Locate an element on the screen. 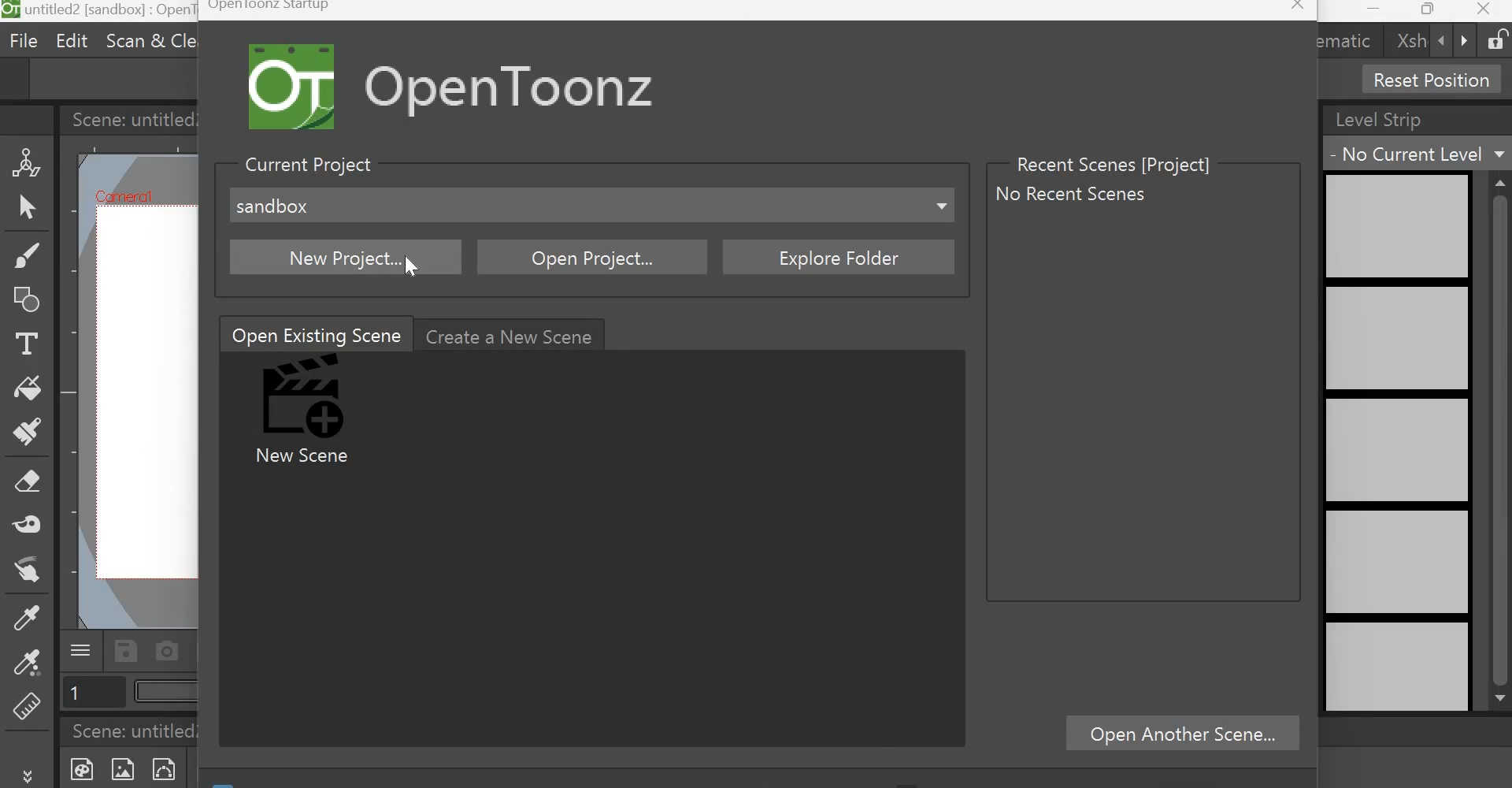 Image resolution: width=1512 pixels, height=788 pixels. Opentoonz Startup is located at coordinates (269, 9).